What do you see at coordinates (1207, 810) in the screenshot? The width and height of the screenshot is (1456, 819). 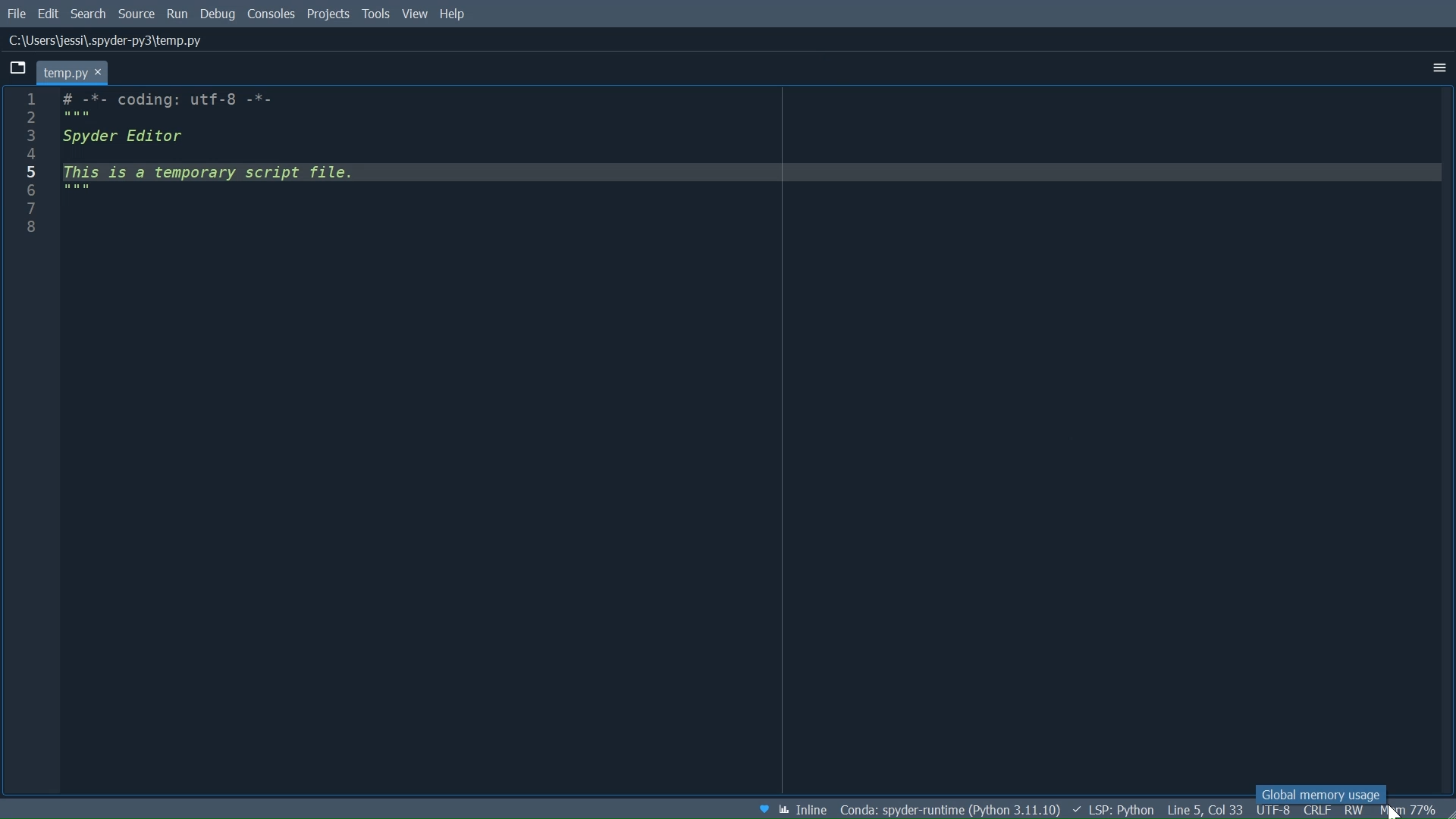 I see `Cursor Position` at bounding box center [1207, 810].